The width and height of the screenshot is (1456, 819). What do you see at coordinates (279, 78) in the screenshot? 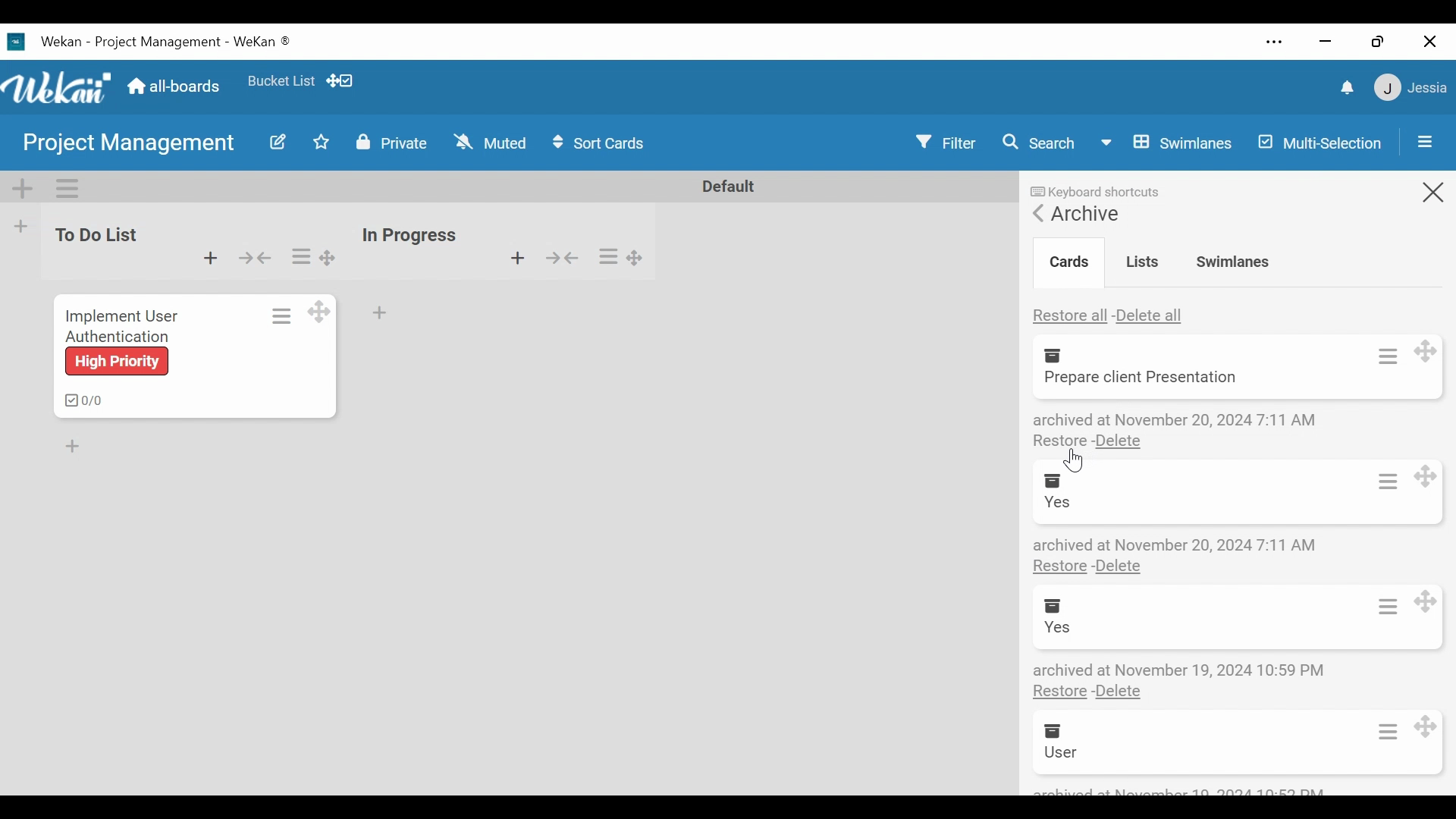
I see `favorites` at bounding box center [279, 78].